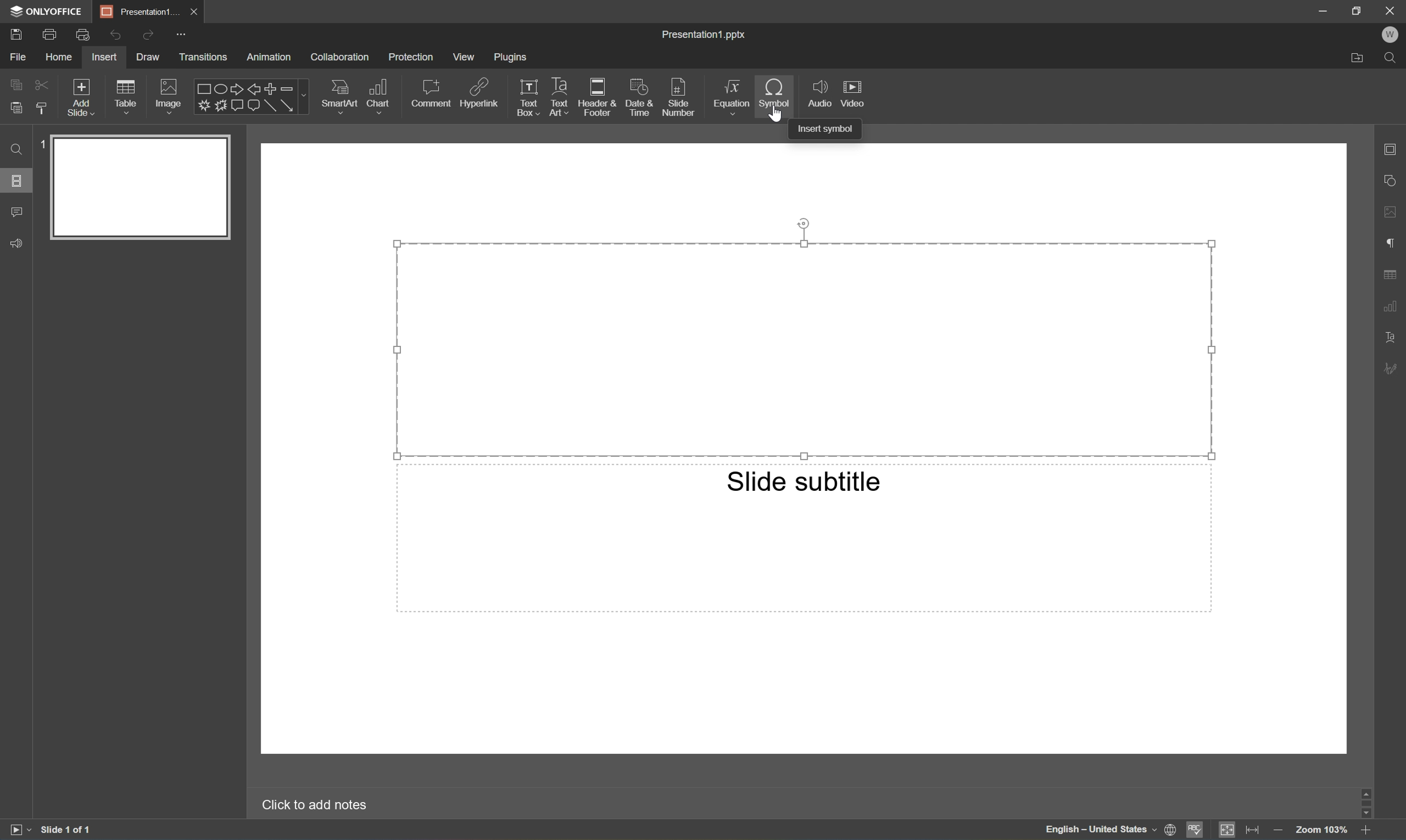  I want to click on Close, so click(1390, 10).